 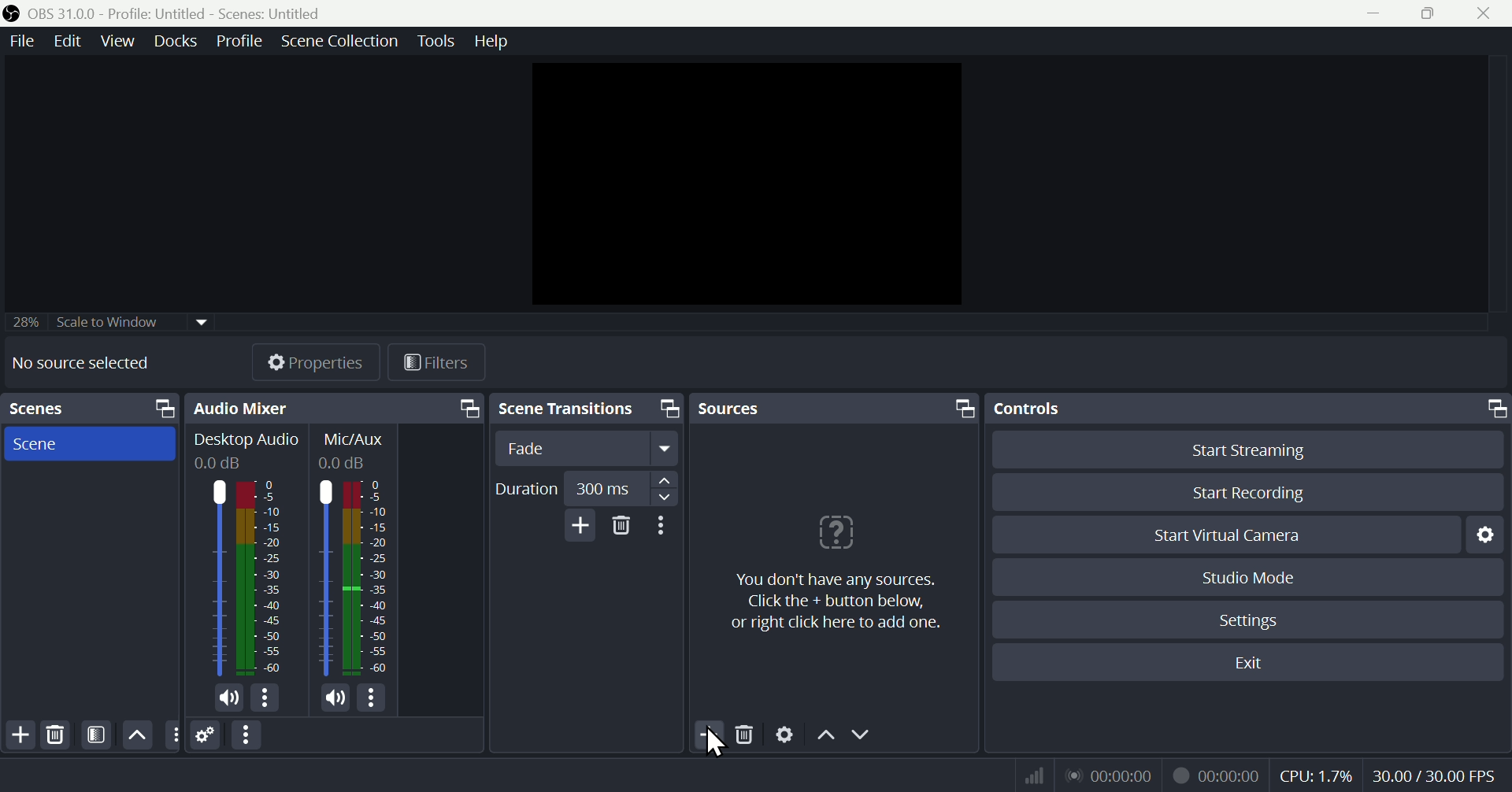 I want to click on , so click(x=1260, y=449).